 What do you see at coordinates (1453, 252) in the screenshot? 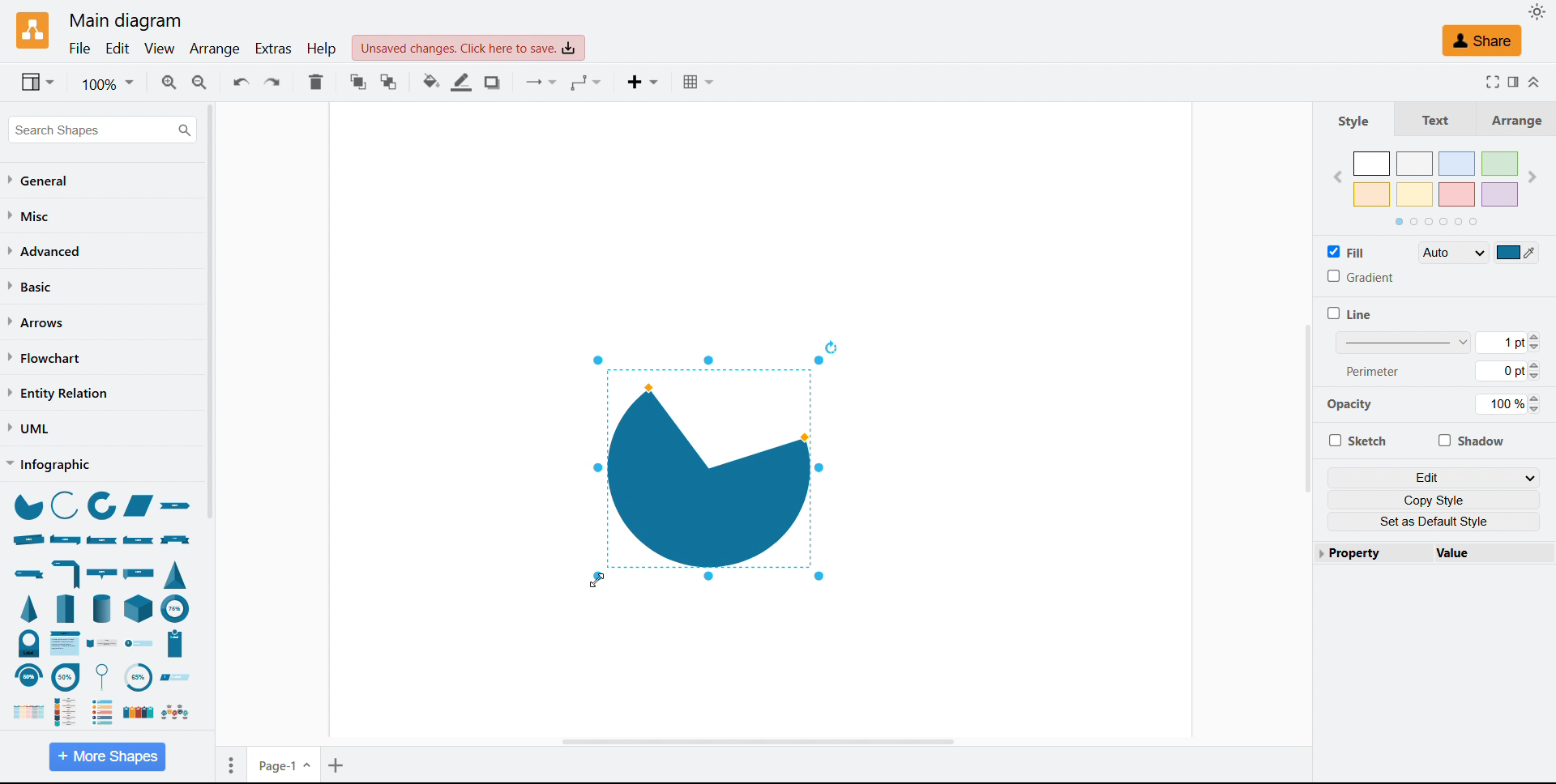
I see `select fill type ` at bounding box center [1453, 252].